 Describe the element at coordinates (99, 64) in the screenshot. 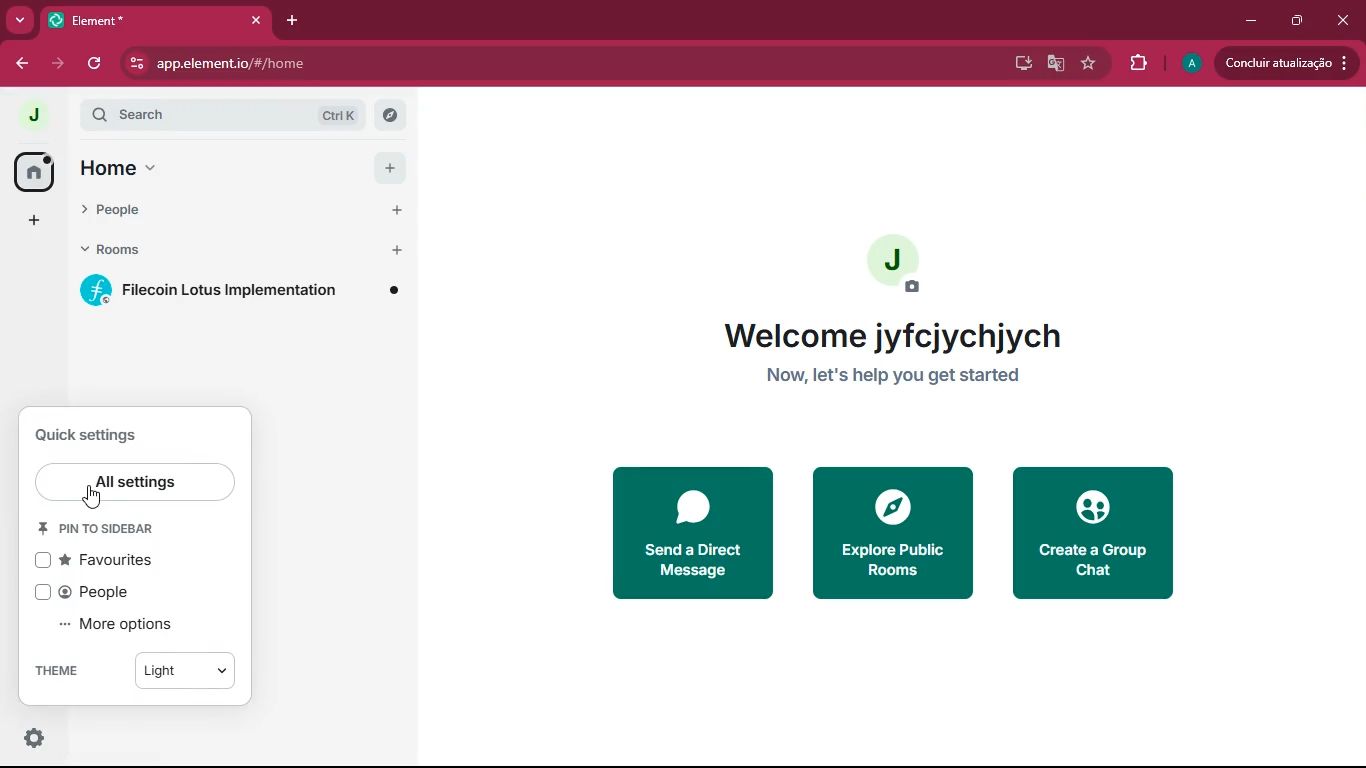

I see `refresh` at that location.